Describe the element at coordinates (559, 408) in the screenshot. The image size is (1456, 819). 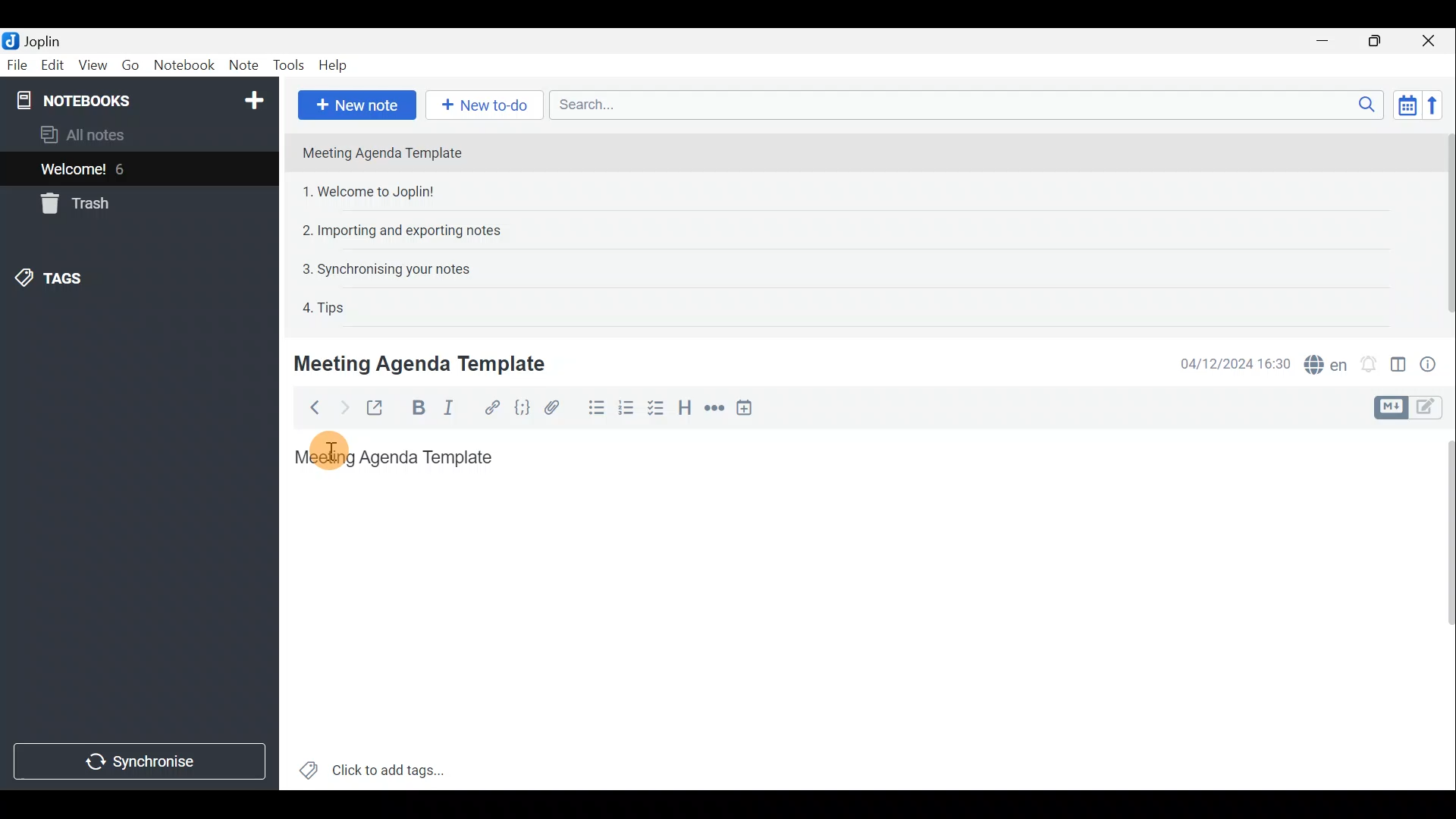
I see `Attach file` at that location.